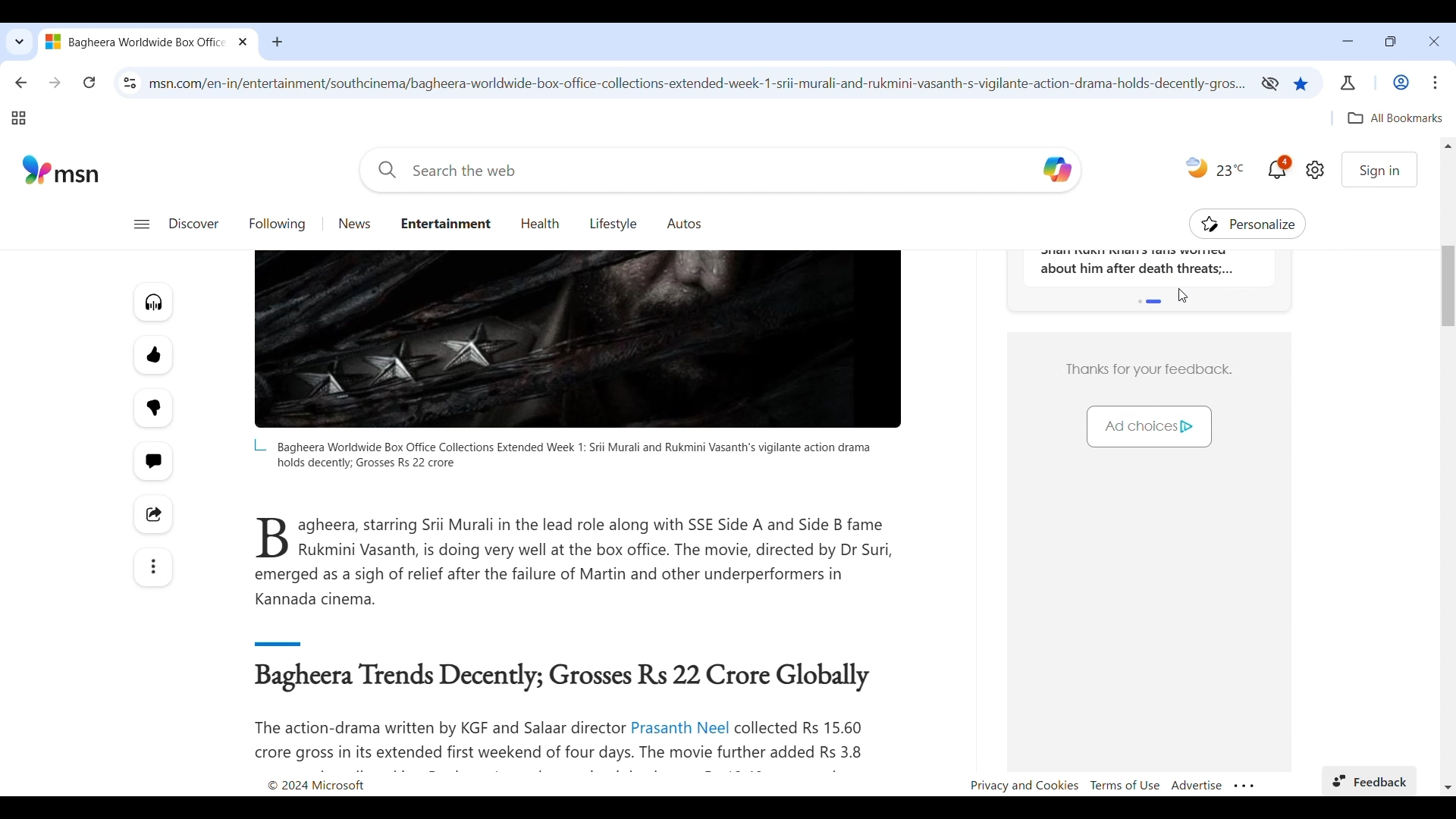 Image resolution: width=1456 pixels, height=819 pixels. I want to click on Third-party cookies limited, so click(1269, 83).